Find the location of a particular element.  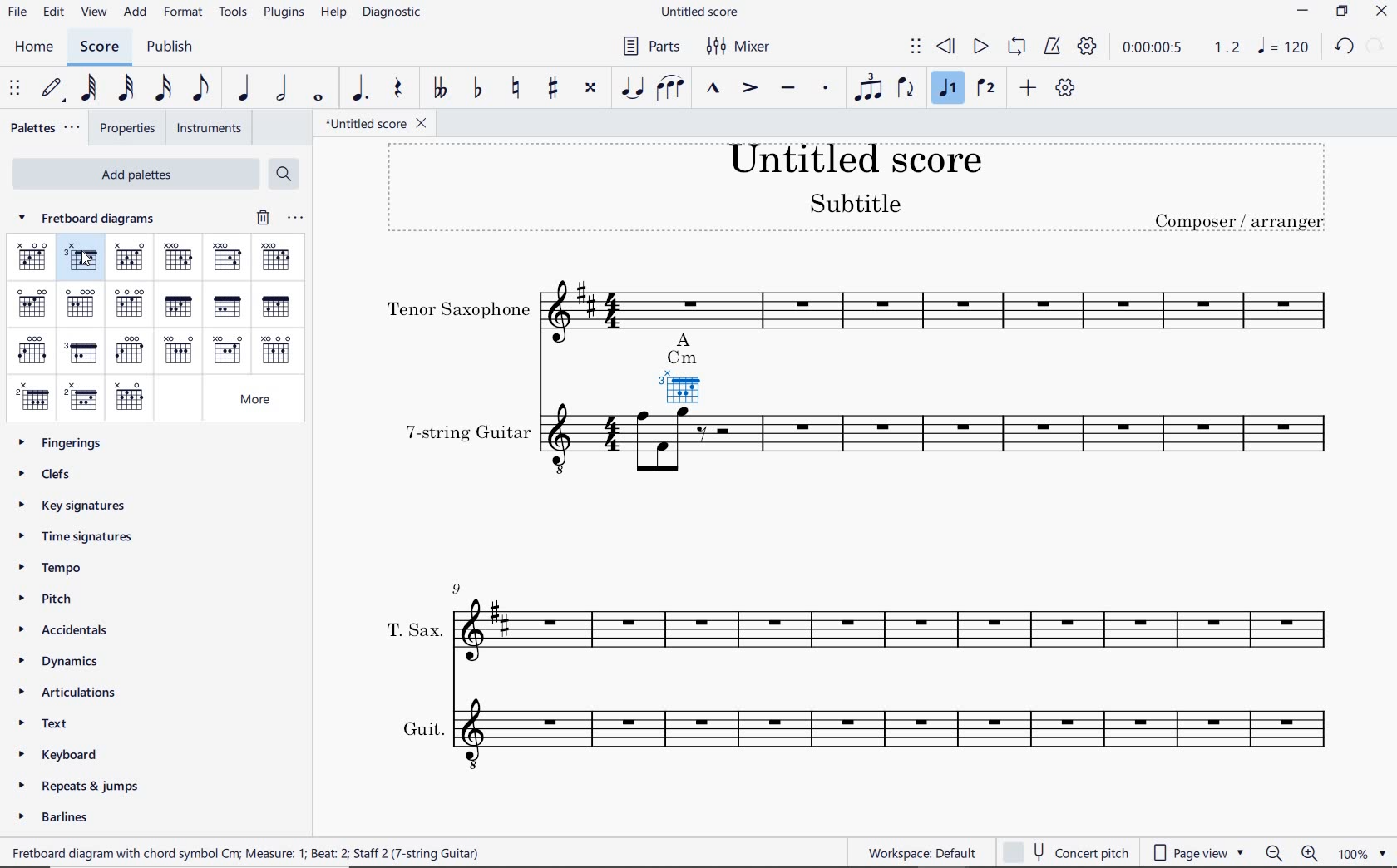

SCORE is located at coordinates (101, 46).